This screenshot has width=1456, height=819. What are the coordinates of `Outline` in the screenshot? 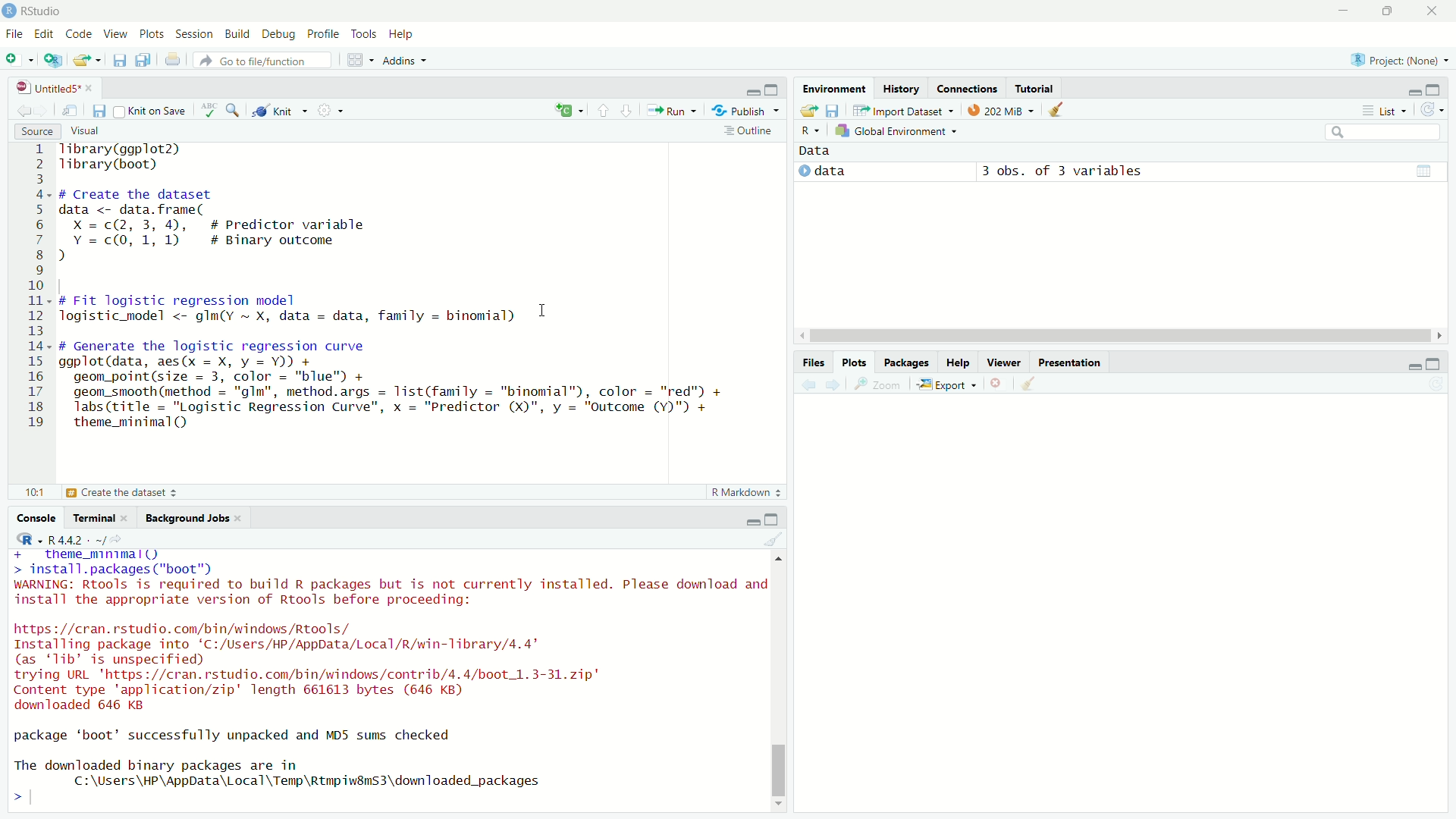 It's located at (751, 130).